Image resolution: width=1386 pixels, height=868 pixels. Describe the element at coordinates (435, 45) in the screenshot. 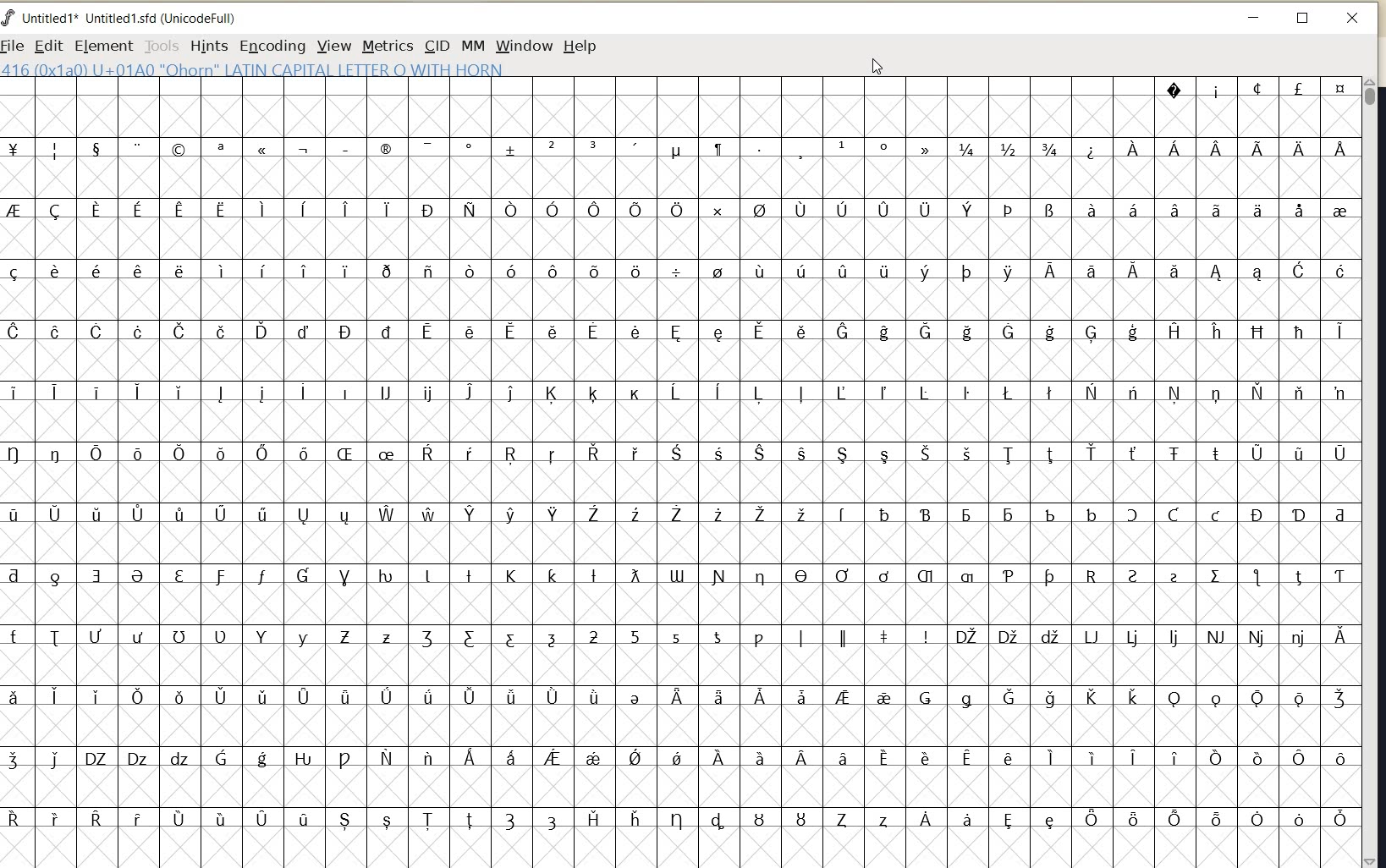

I see `CID` at that location.